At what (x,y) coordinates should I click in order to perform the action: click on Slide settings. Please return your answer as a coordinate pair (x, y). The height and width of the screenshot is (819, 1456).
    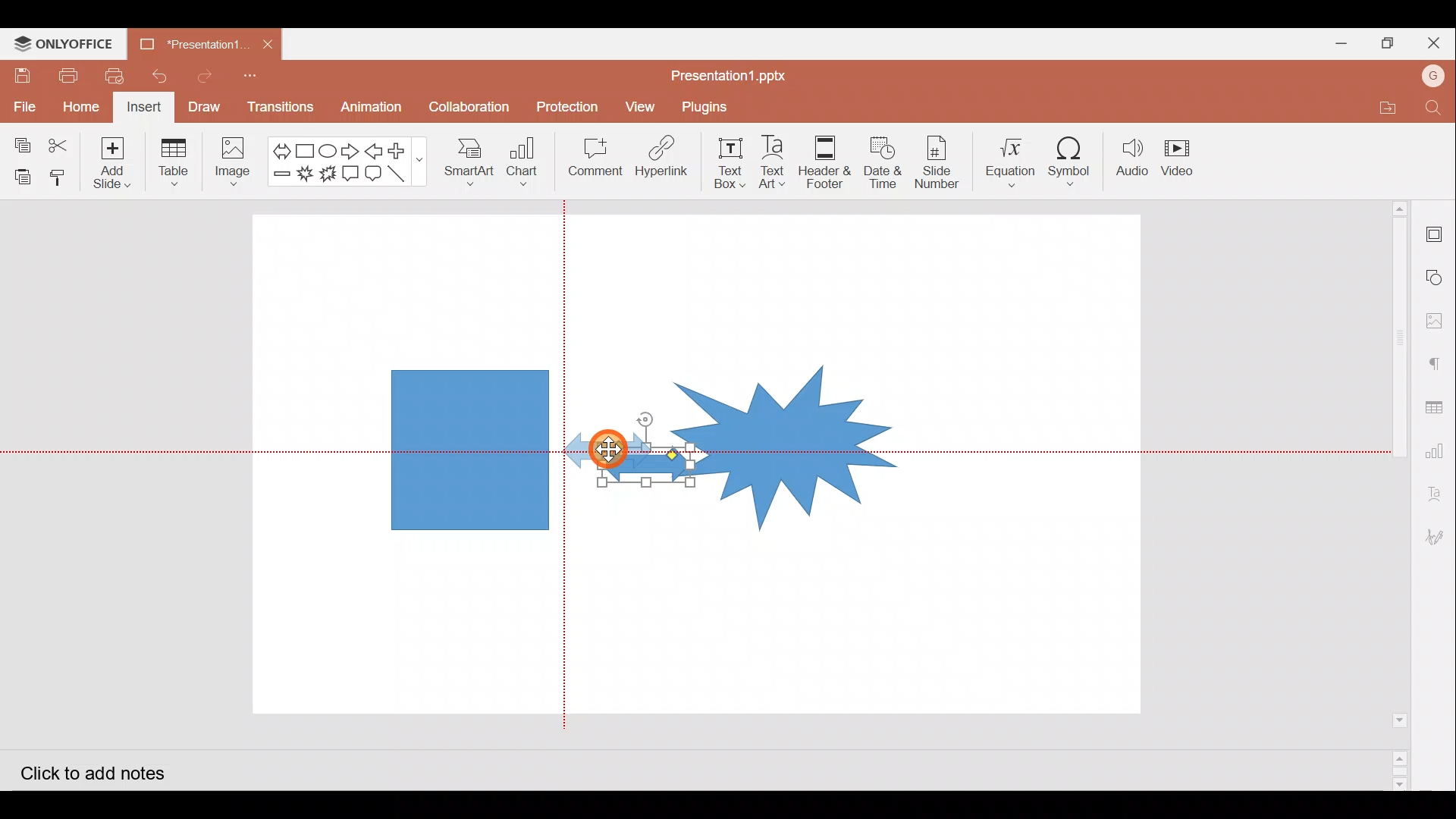
    Looking at the image, I should click on (1435, 229).